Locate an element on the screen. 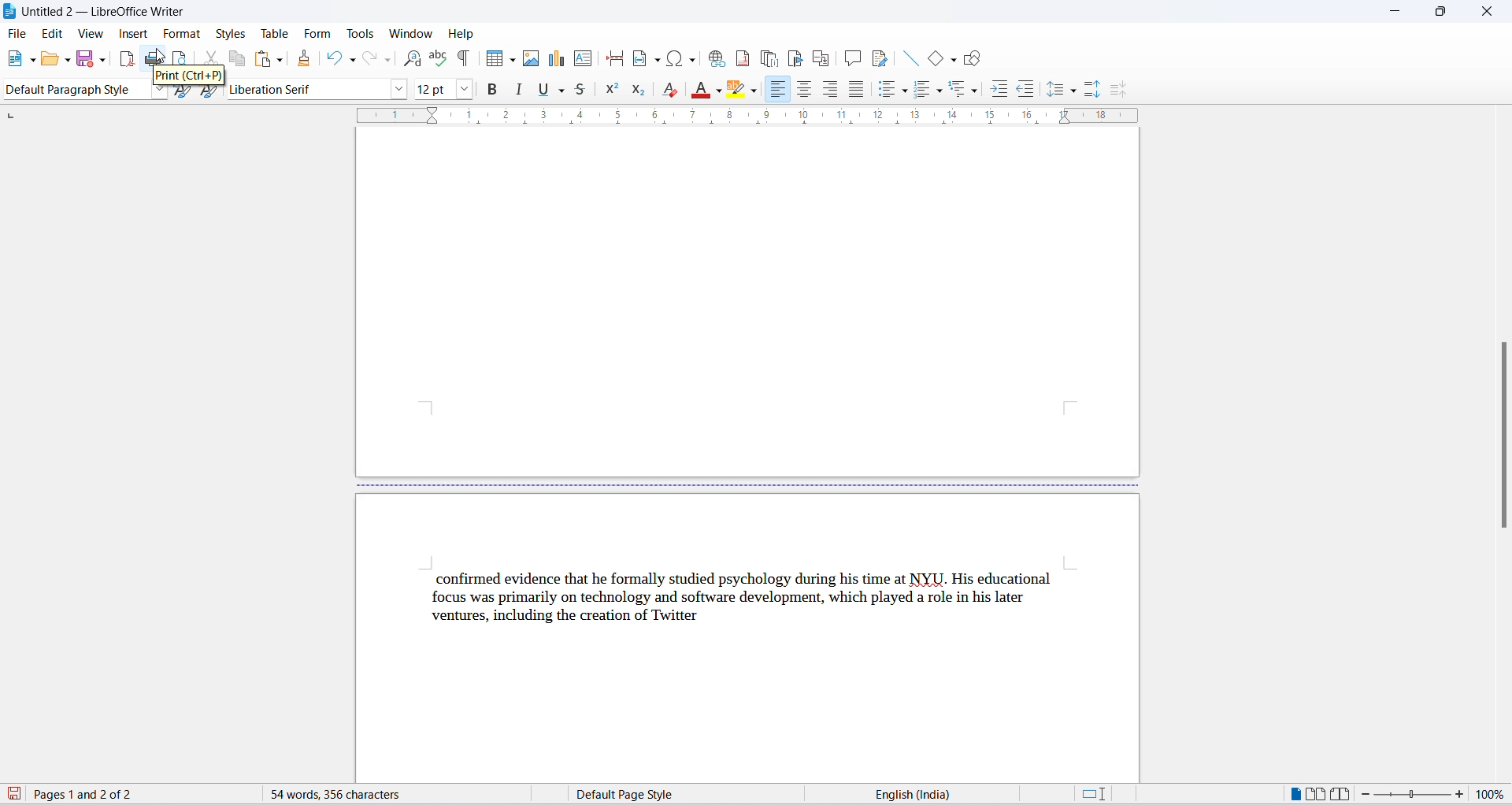 This screenshot has width=1512, height=805. clone formatting is located at coordinates (306, 58).